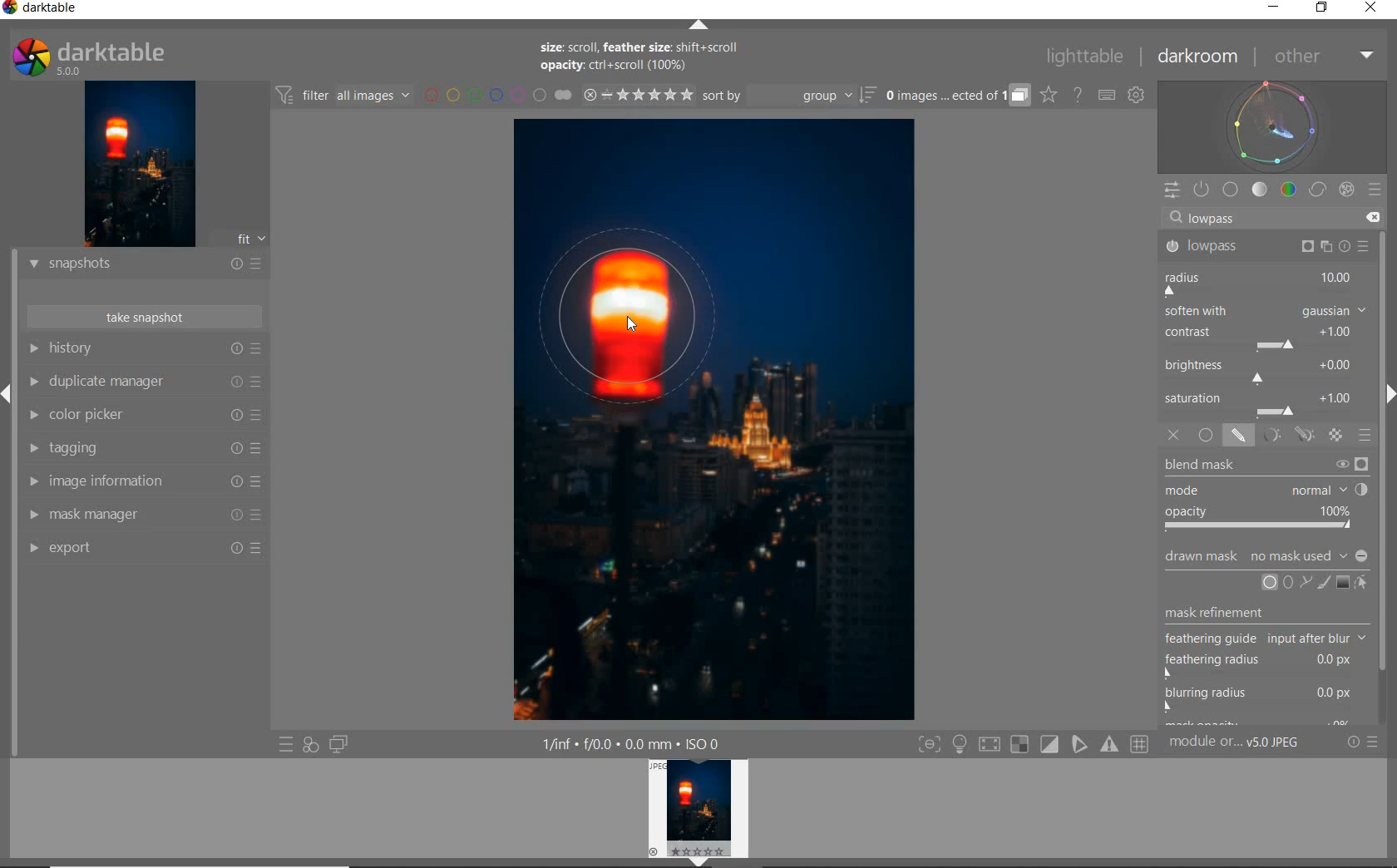 This screenshot has height=868, width=1397. I want to click on MASK REFINEMENT, so click(1270, 663).